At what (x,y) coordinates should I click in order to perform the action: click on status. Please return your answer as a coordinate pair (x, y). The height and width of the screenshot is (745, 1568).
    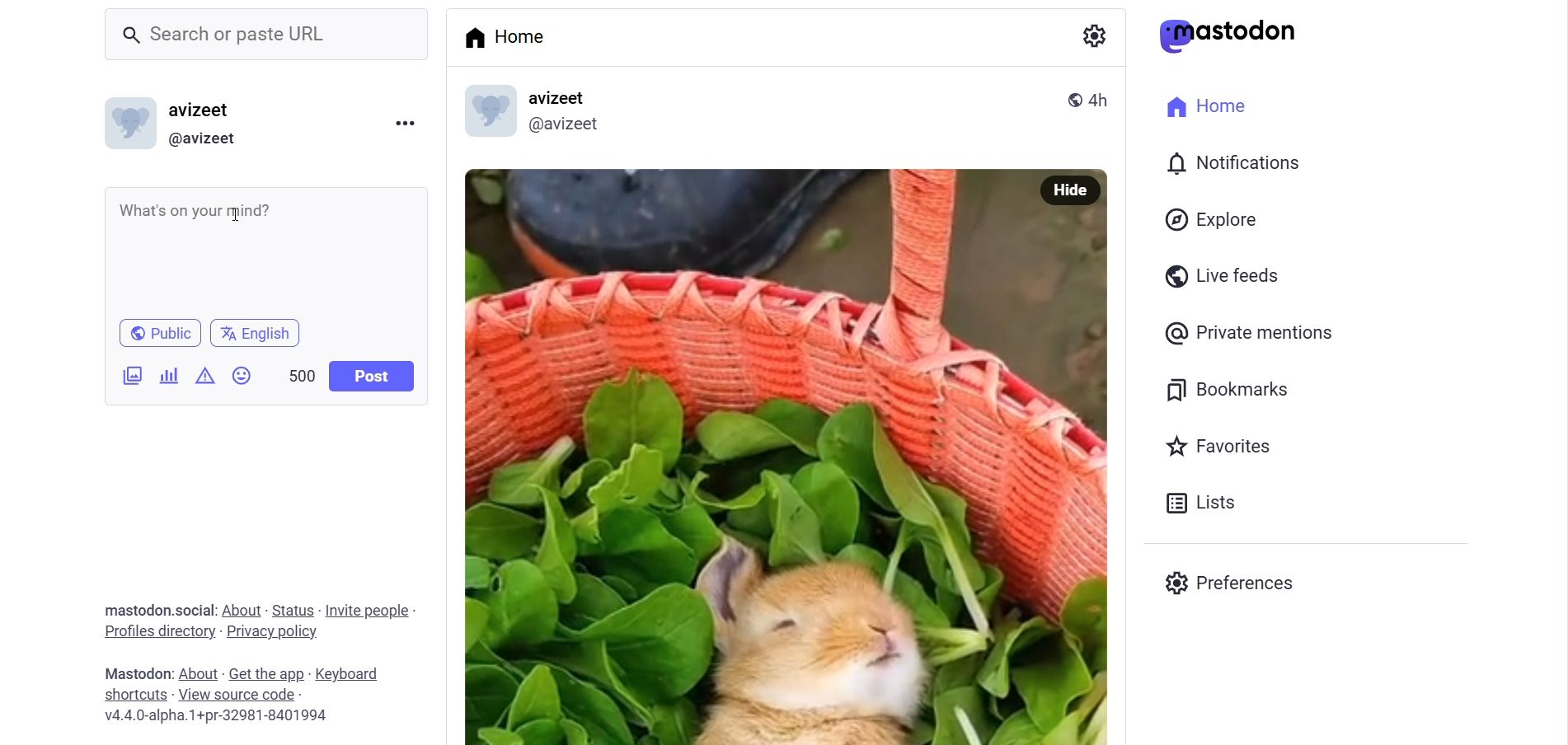
    Looking at the image, I should click on (293, 610).